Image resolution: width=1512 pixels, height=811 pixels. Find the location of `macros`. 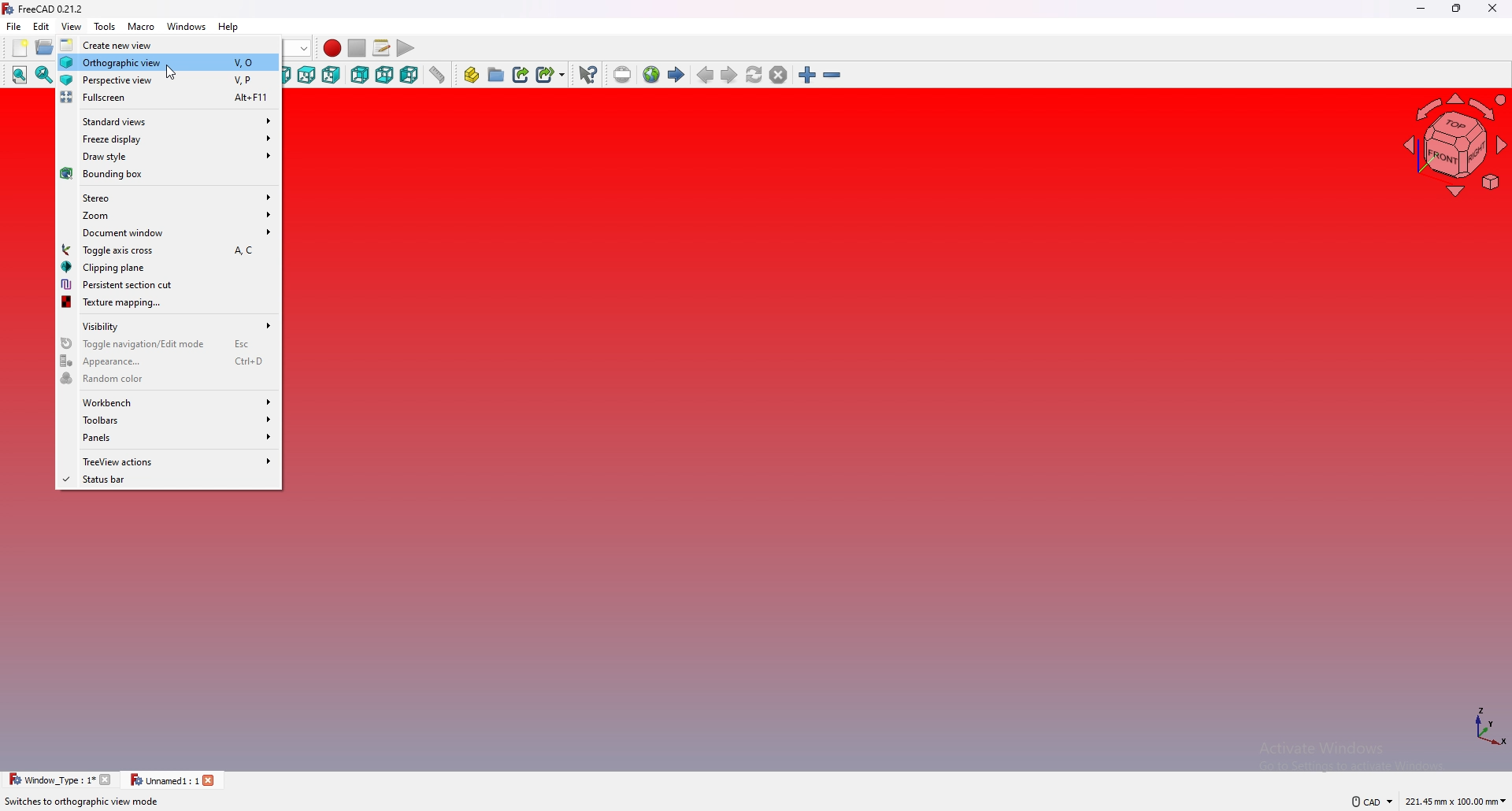

macros is located at coordinates (382, 48).